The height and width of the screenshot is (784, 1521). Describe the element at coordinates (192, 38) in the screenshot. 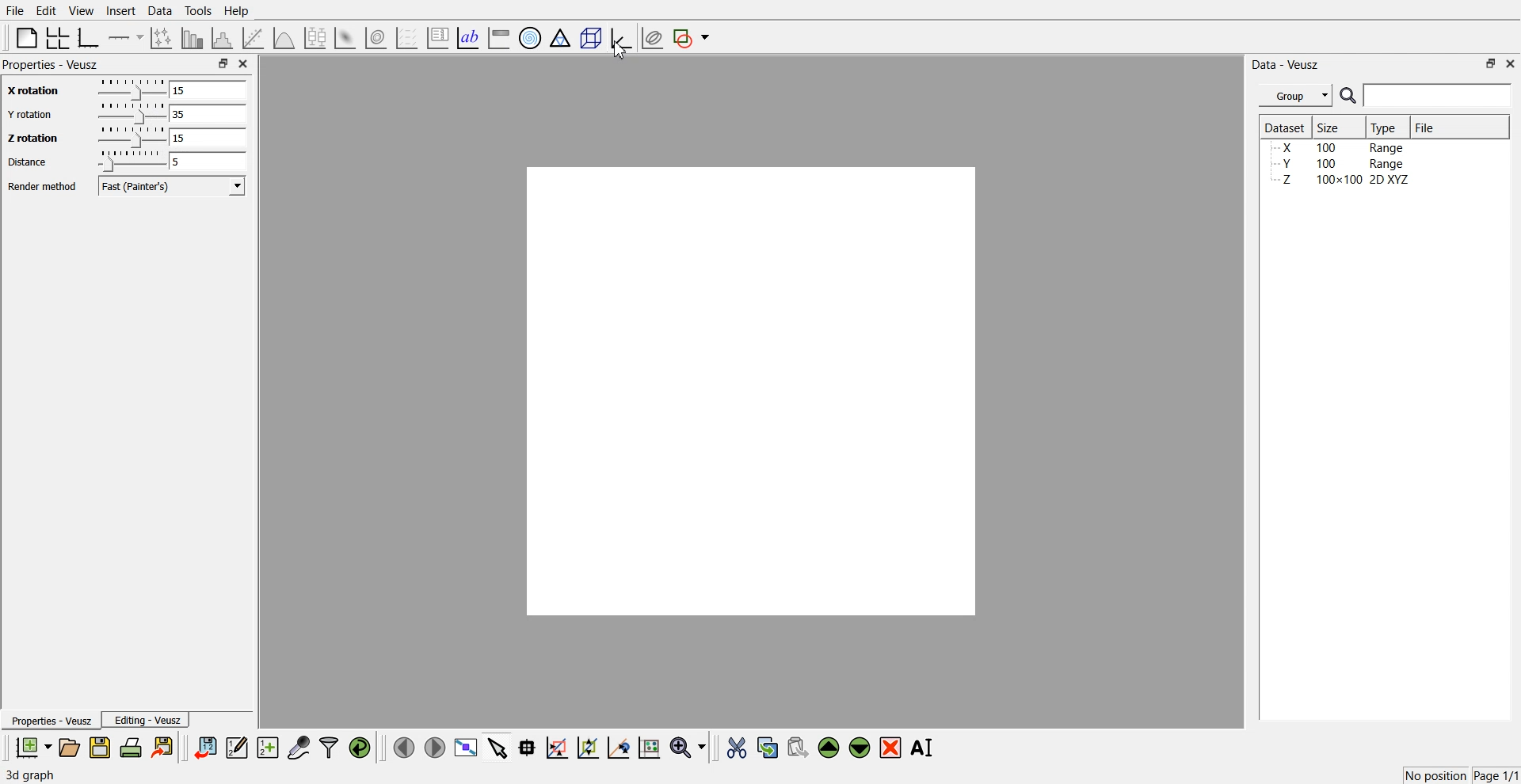

I see `Plot bar chart` at that location.